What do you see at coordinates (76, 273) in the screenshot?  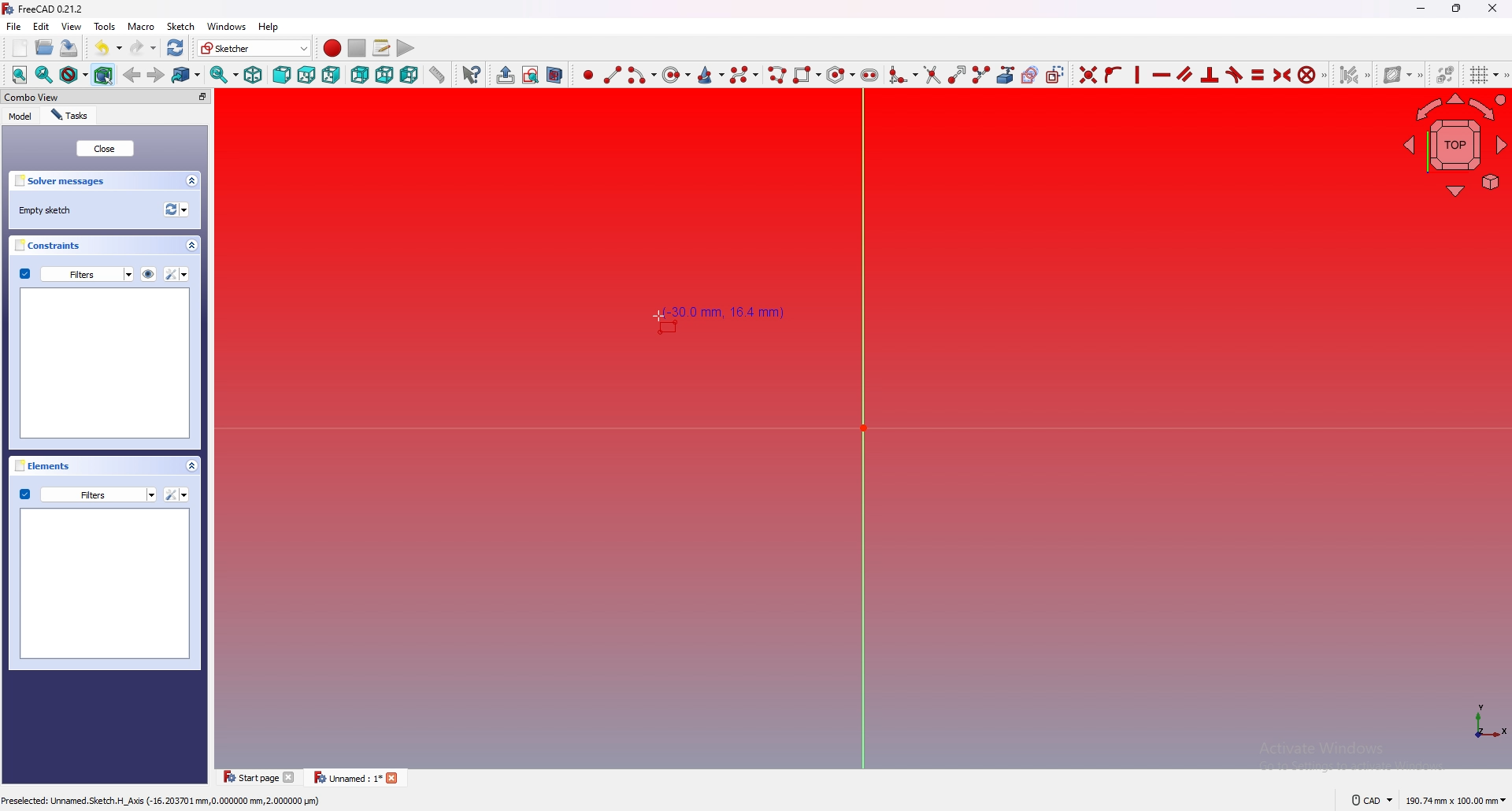 I see `filters` at bounding box center [76, 273].